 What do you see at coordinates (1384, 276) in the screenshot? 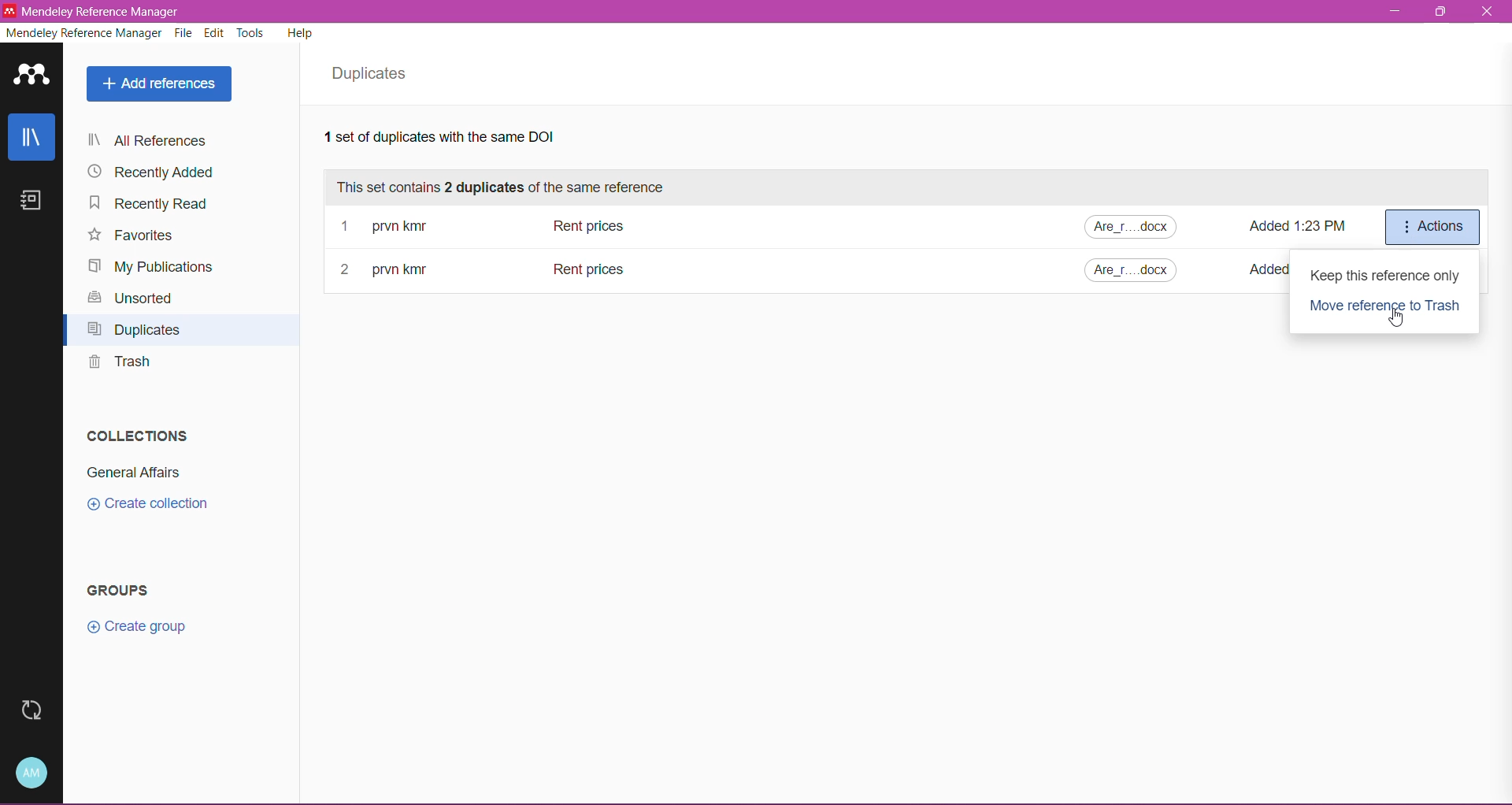
I see `Keep this reference only` at bounding box center [1384, 276].